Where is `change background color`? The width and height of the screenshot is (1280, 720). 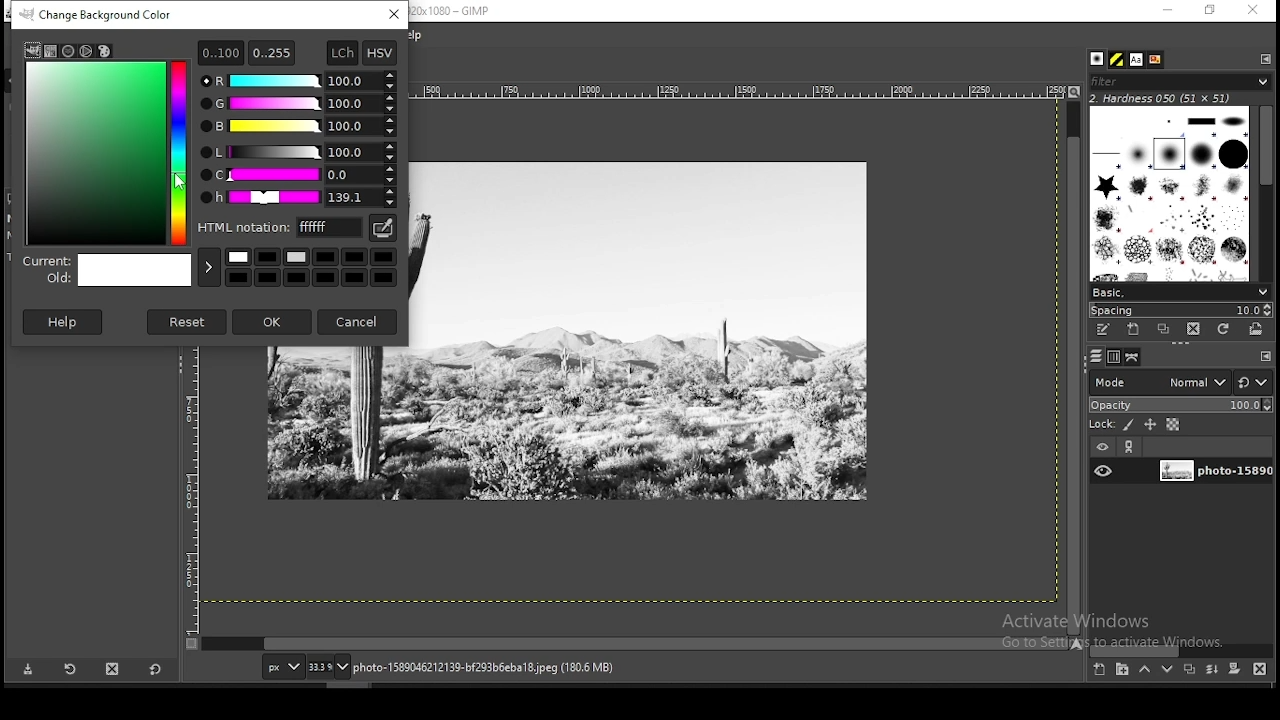
change background color is located at coordinates (102, 15).